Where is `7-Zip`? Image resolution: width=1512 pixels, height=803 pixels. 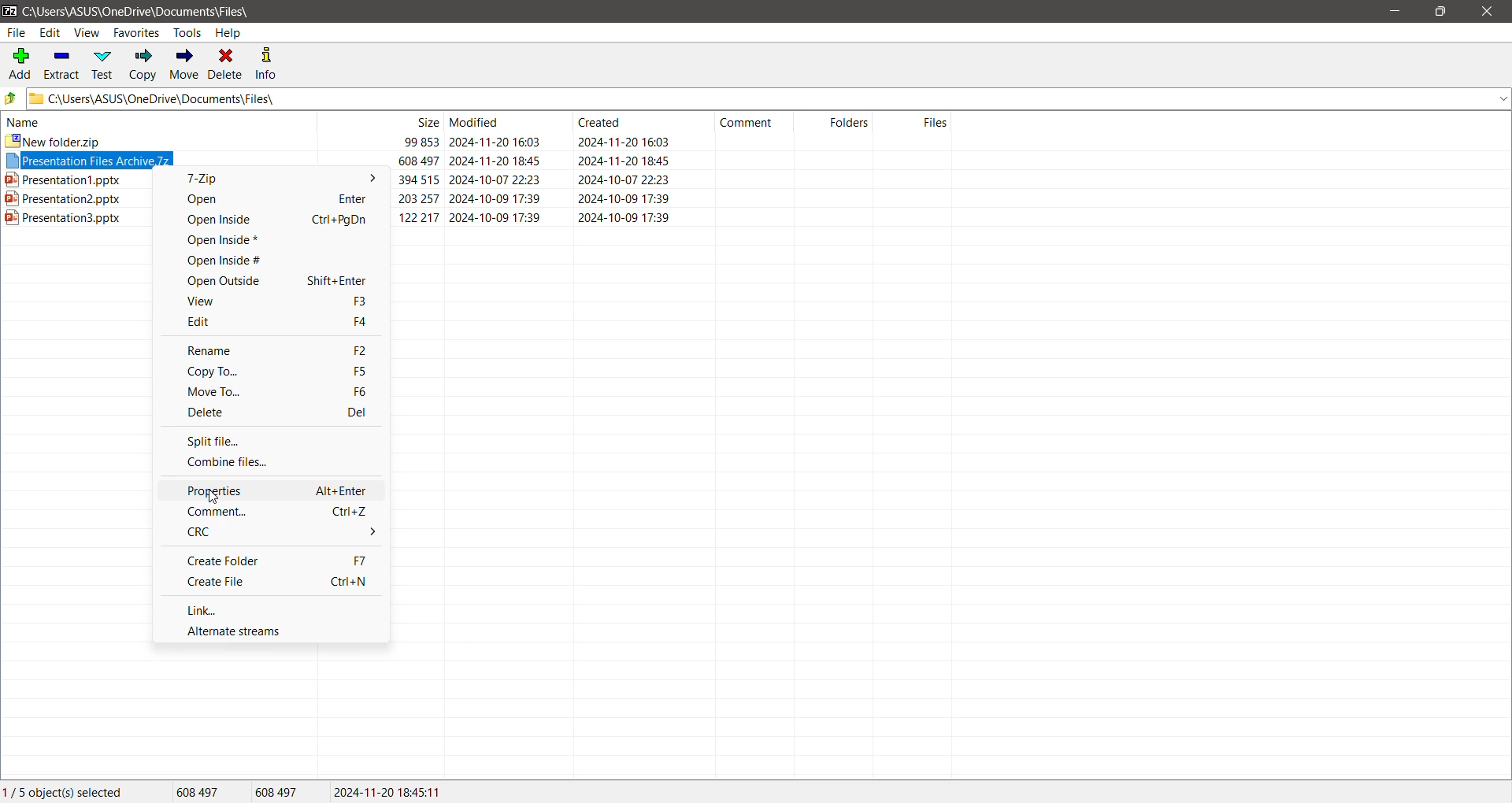
7-Zip is located at coordinates (280, 181).